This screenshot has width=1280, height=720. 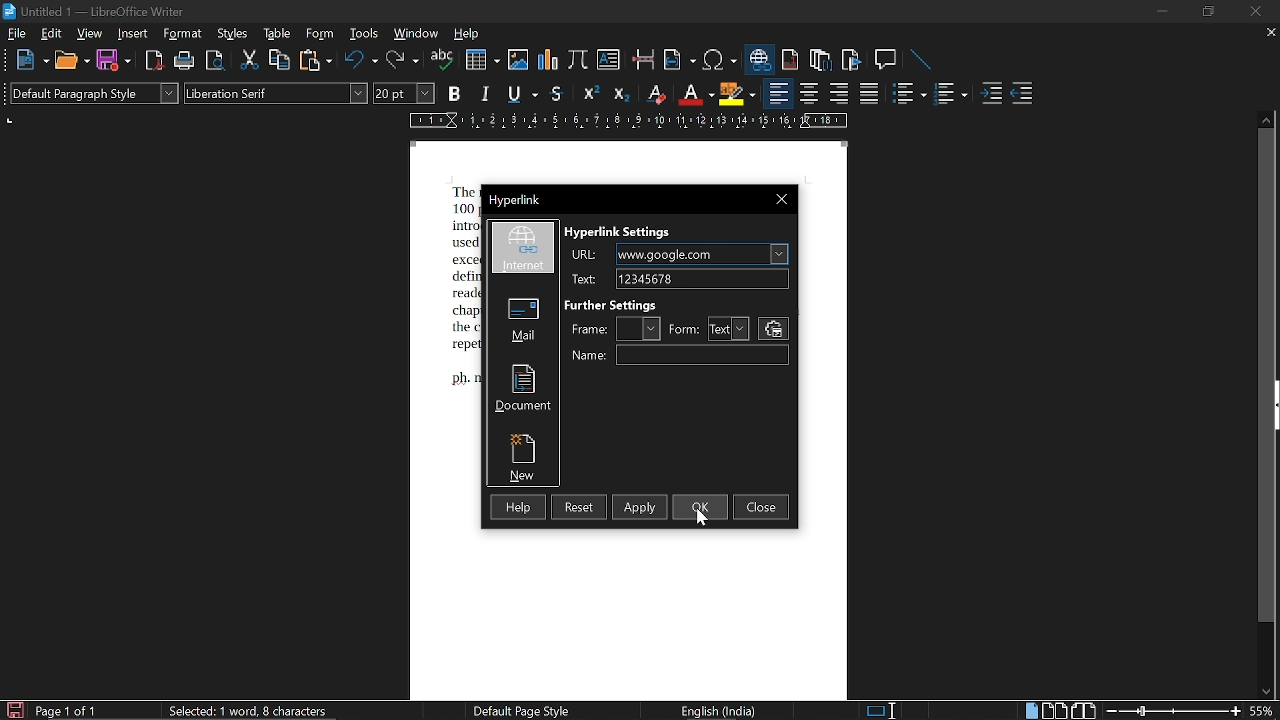 What do you see at coordinates (280, 61) in the screenshot?
I see `copy` at bounding box center [280, 61].